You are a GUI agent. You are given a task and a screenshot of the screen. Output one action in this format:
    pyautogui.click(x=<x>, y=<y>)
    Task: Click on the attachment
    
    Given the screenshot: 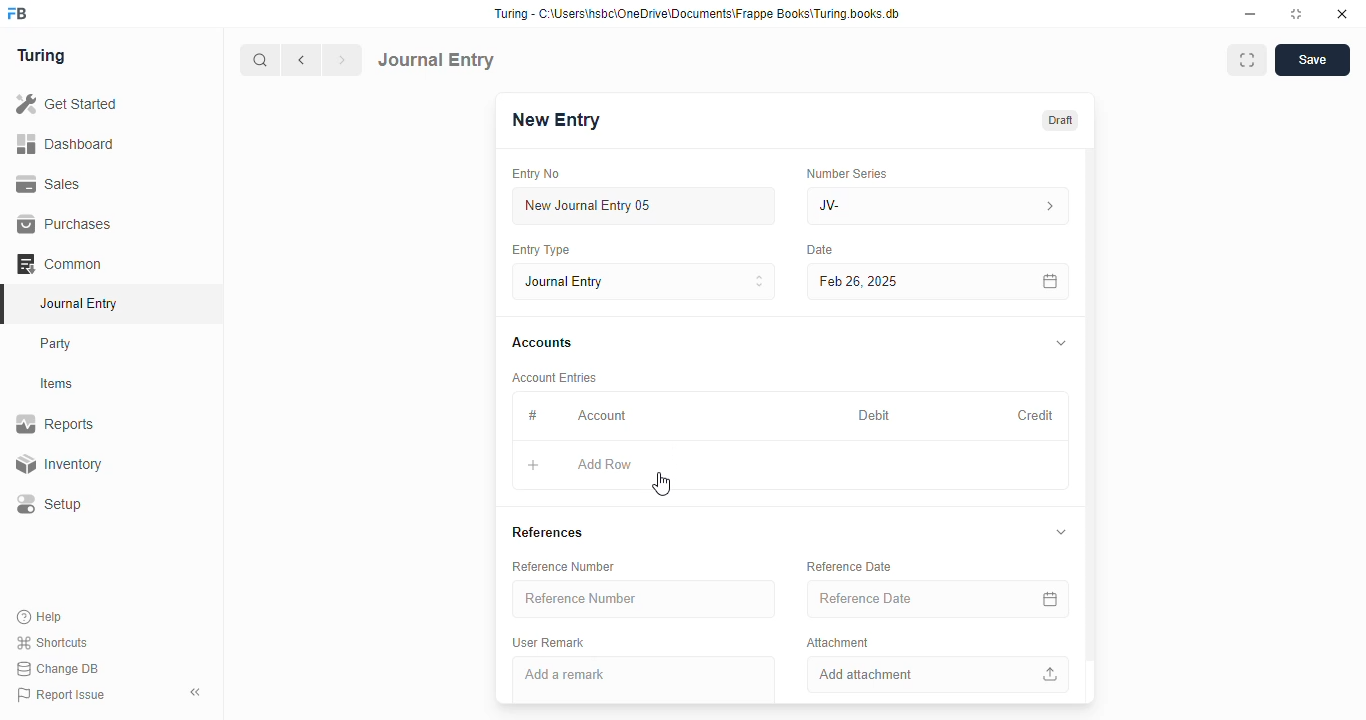 What is the action you would take?
    pyautogui.click(x=838, y=642)
    